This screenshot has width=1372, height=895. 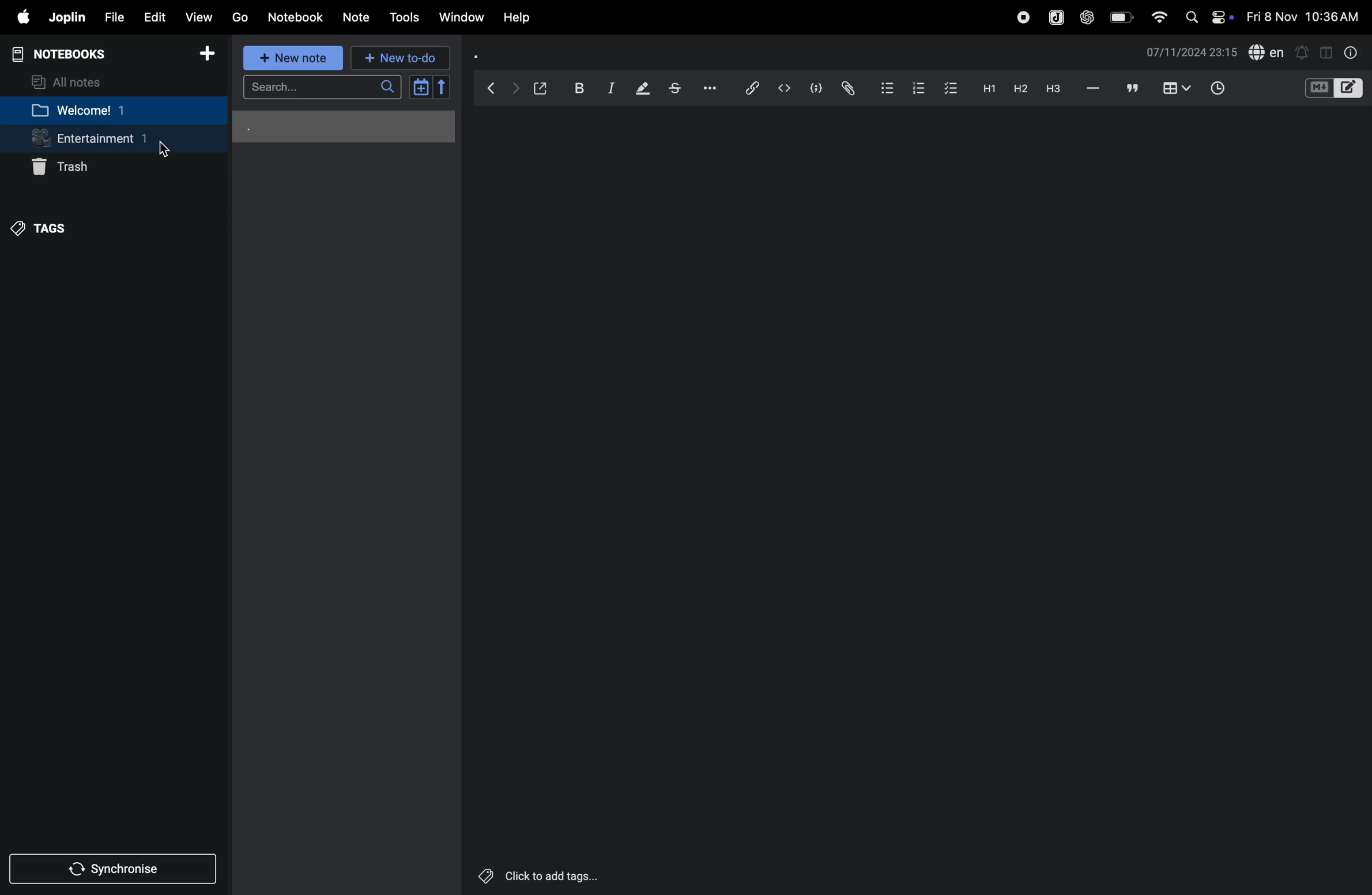 What do you see at coordinates (1087, 18) in the screenshot?
I see `chatgpt` at bounding box center [1087, 18].